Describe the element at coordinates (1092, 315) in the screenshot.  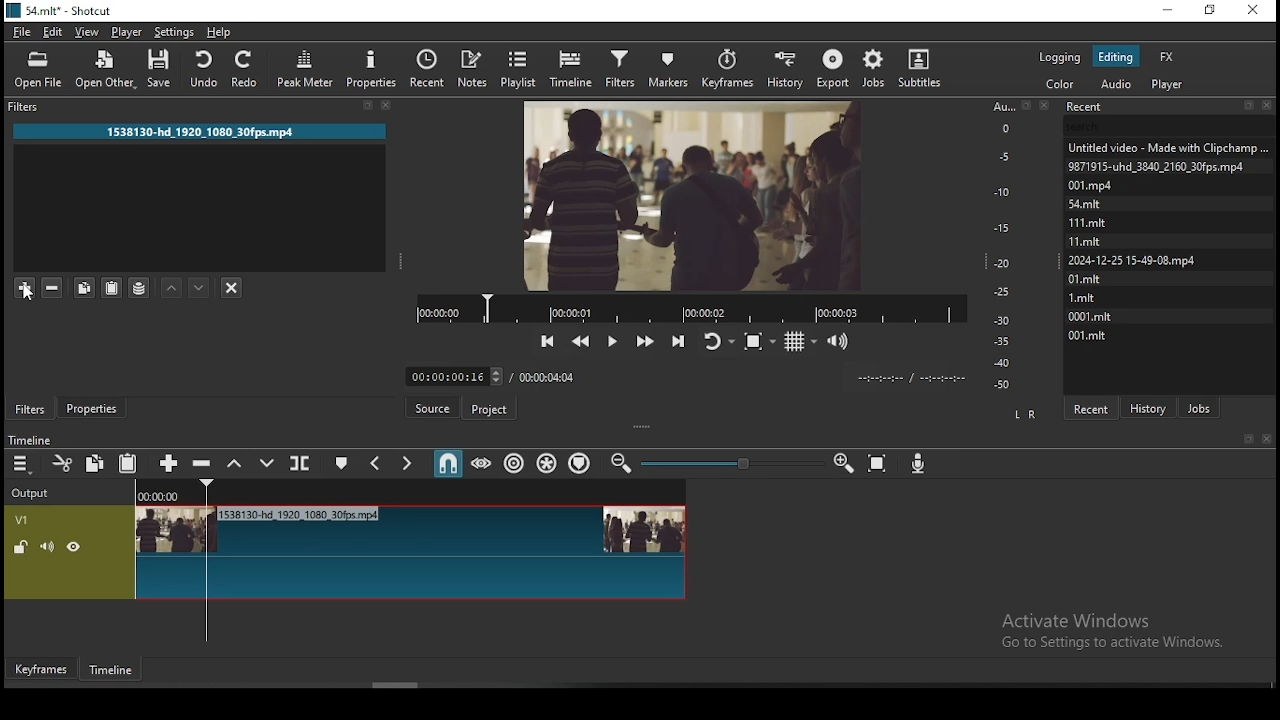
I see `0001.mlt` at that location.